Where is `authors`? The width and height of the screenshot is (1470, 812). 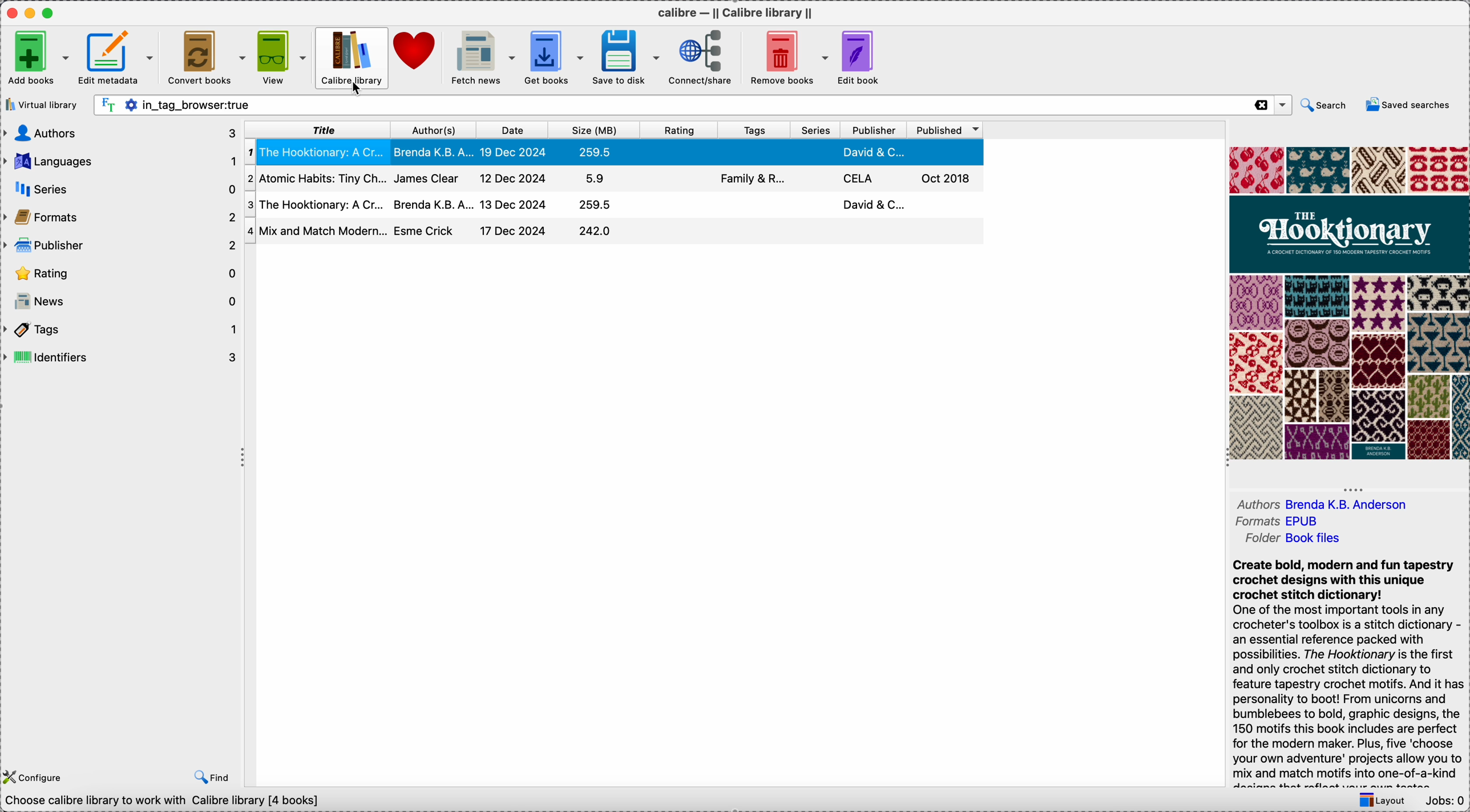
authors is located at coordinates (119, 134).